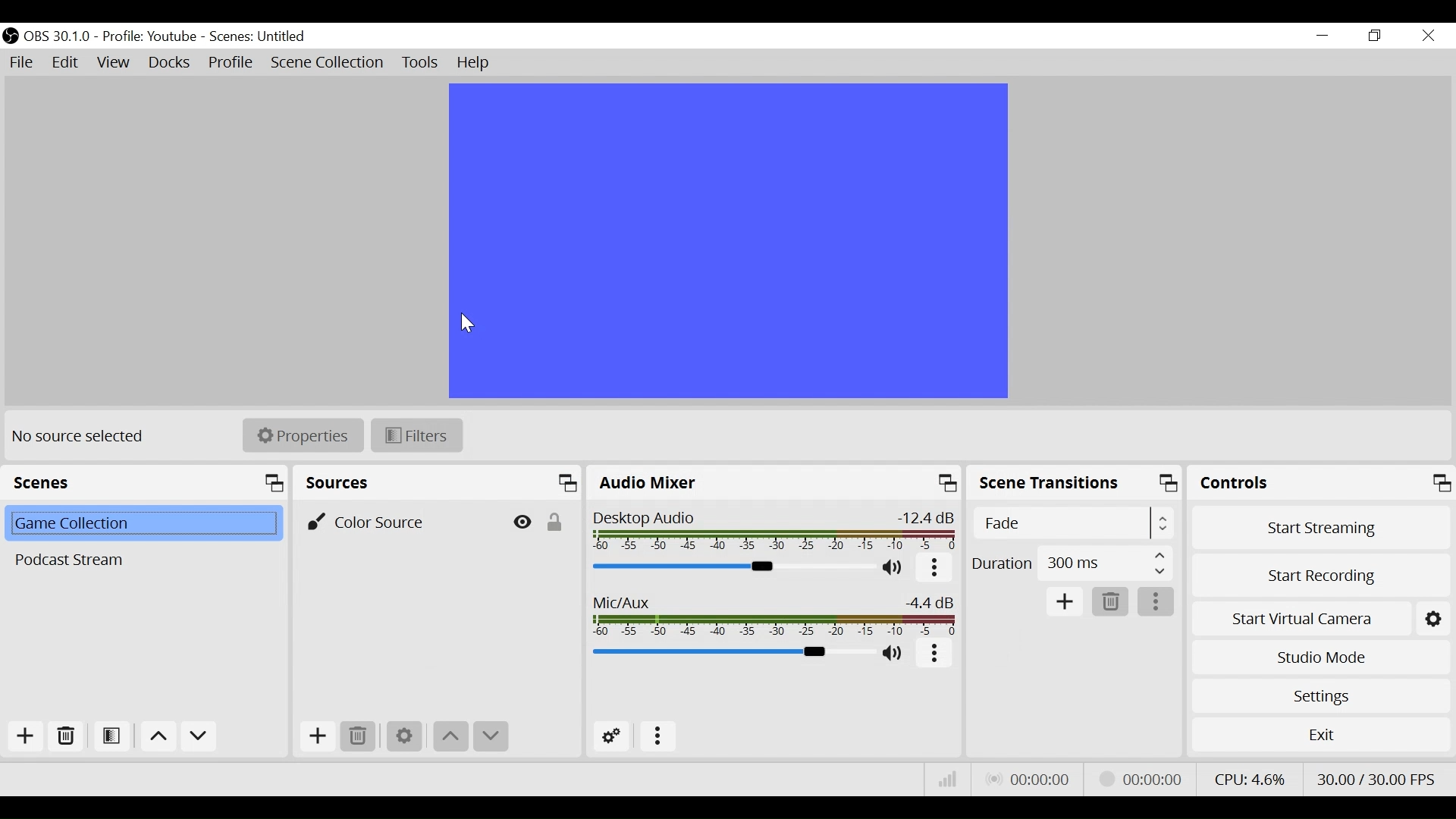 This screenshot has width=1456, height=819. Describe the element at coordinates (1317, 526) in the screenshot. I see `Start Streaming` at that location.